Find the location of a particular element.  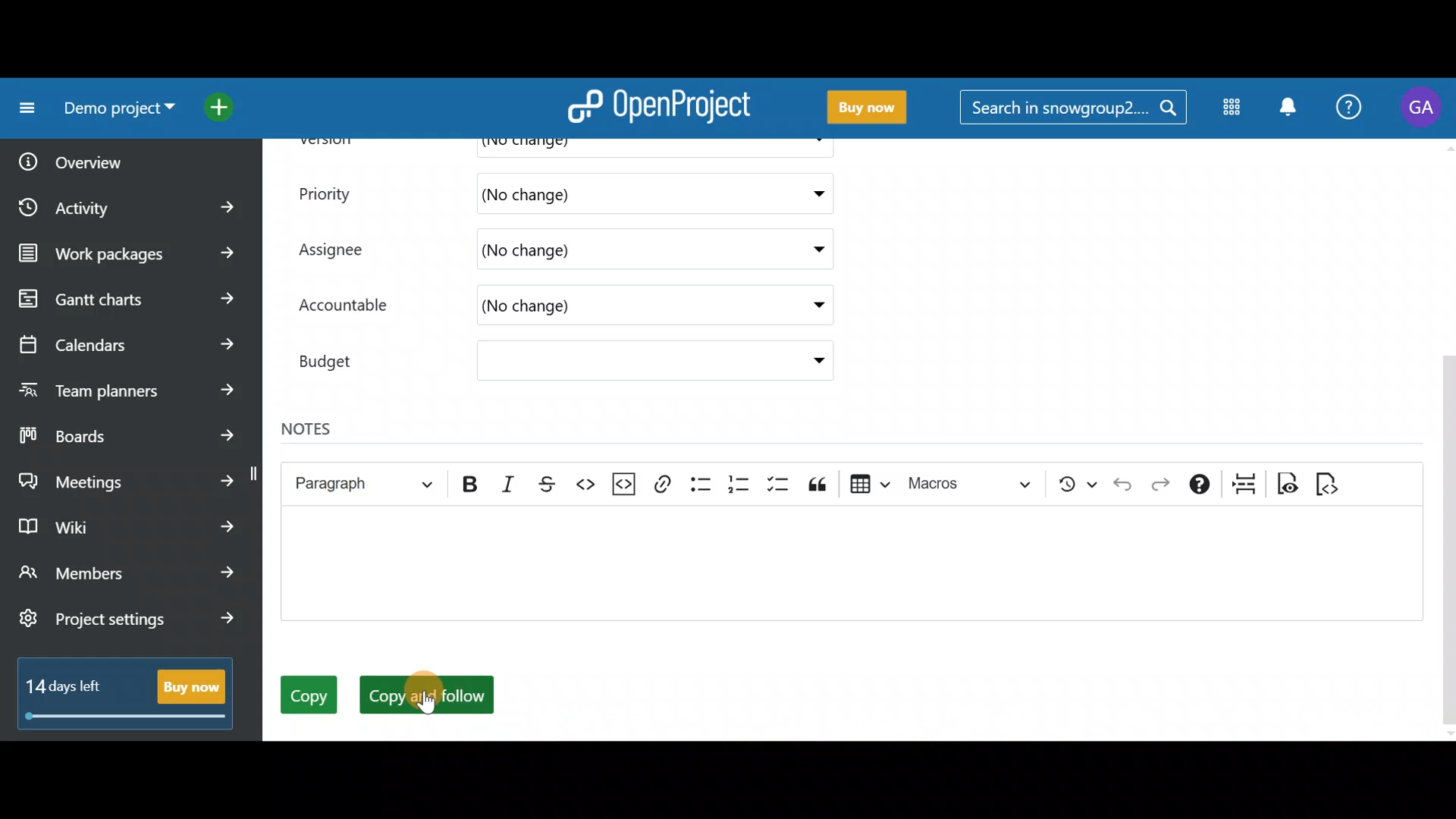

Redo is located at coordinates (1161, 488).